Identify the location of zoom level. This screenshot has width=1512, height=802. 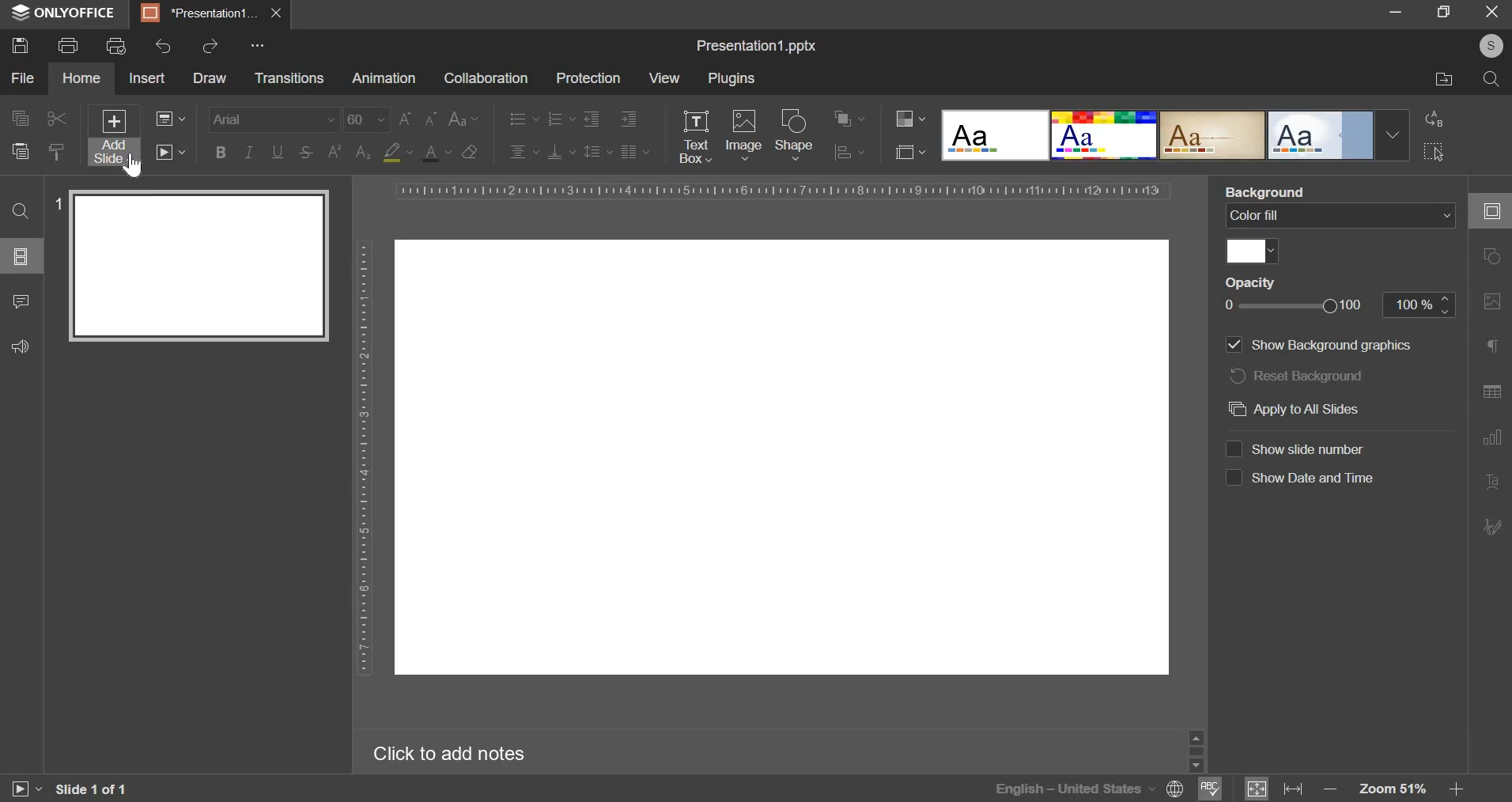
(1396, 789).